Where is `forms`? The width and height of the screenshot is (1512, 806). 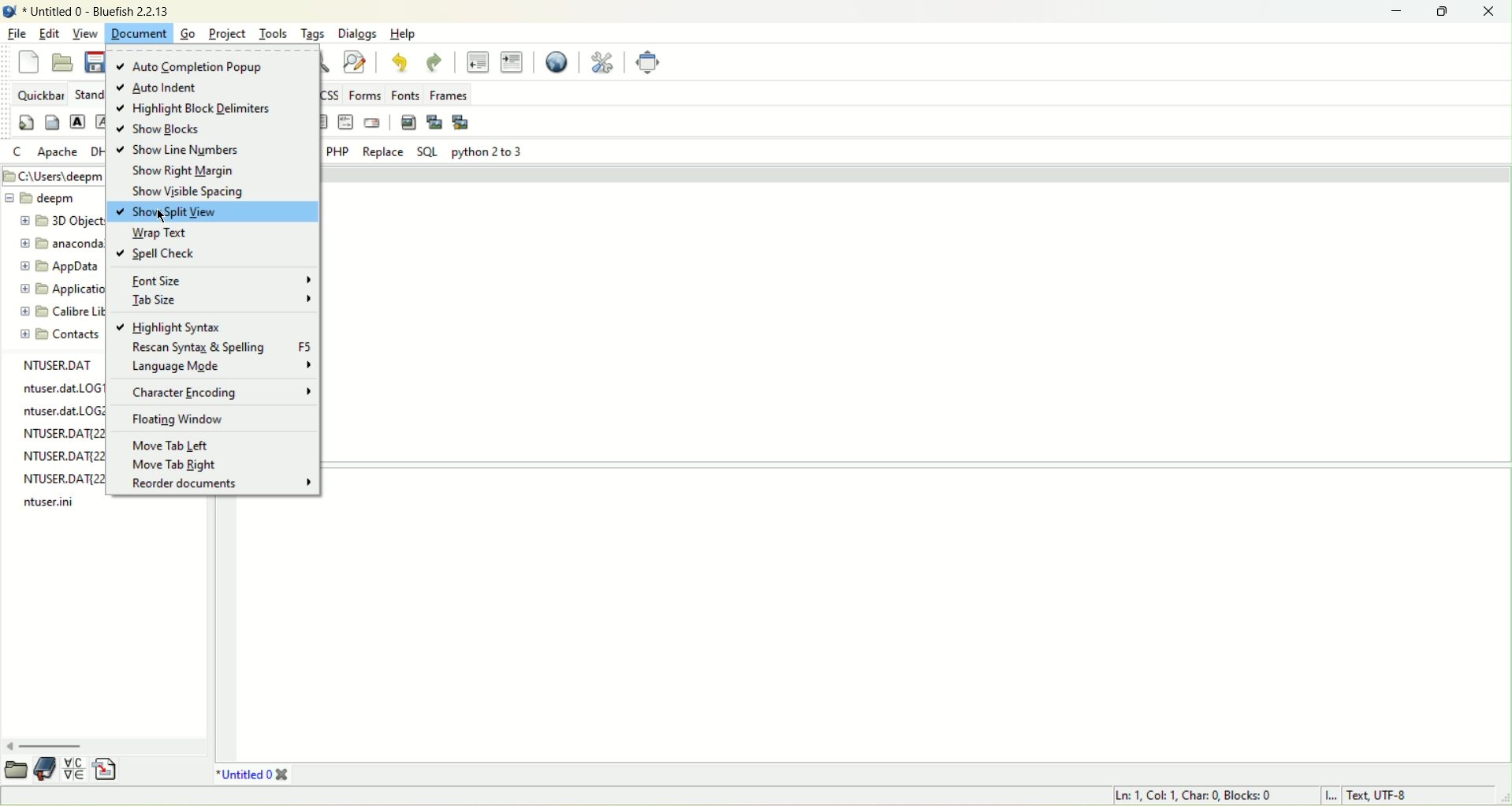
forms is located at coordinates (364, 95).